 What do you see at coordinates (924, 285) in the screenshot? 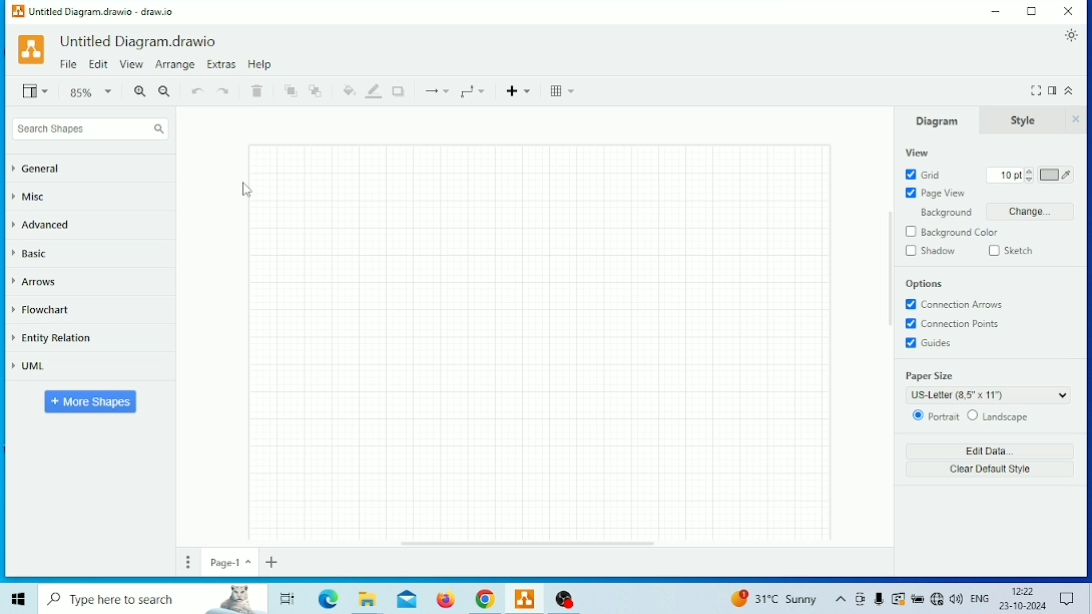
I see `Options` at bounding box center [924, 285].